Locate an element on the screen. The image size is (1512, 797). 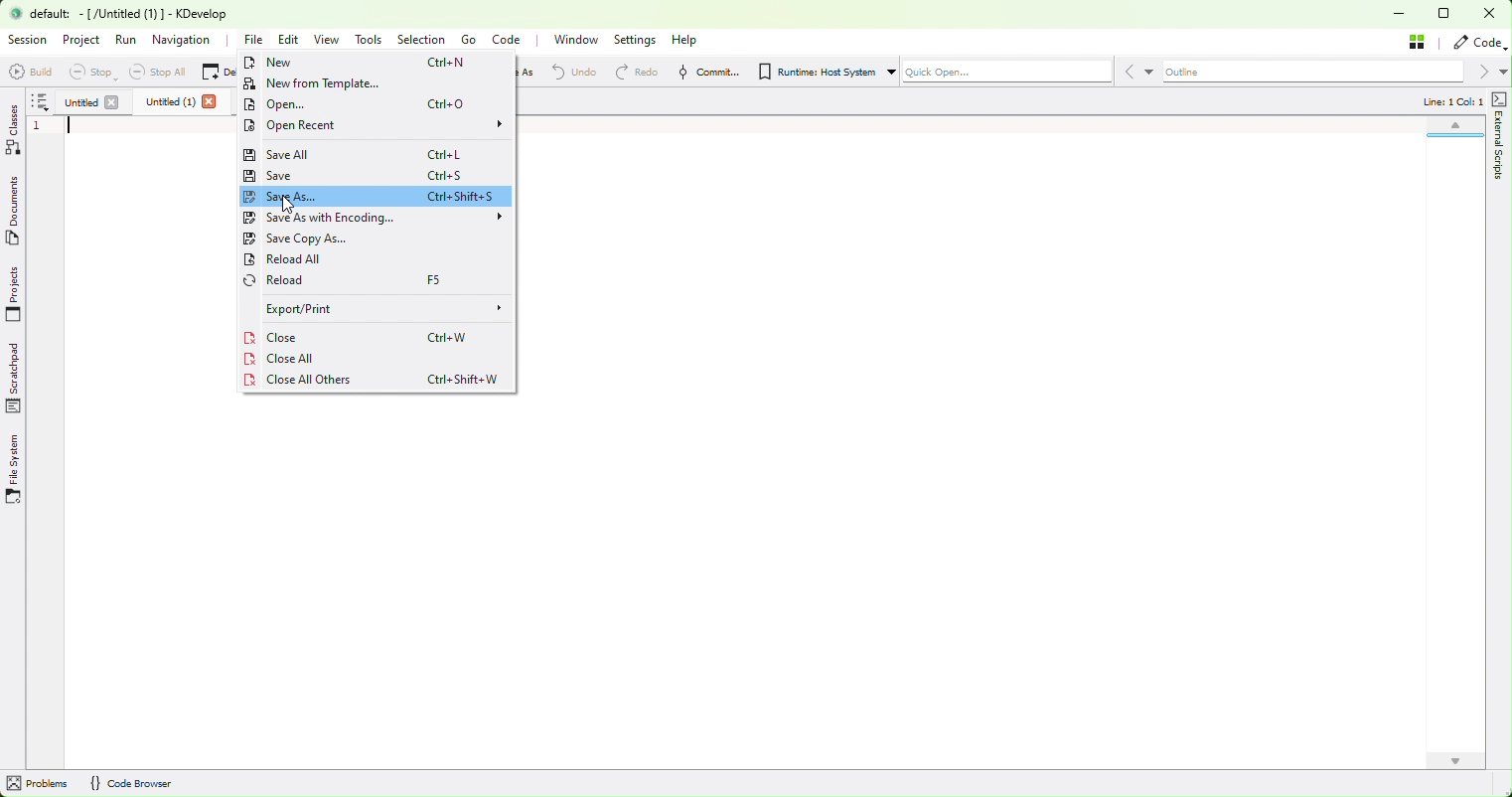
F5 is located at coordinates (437, 279).